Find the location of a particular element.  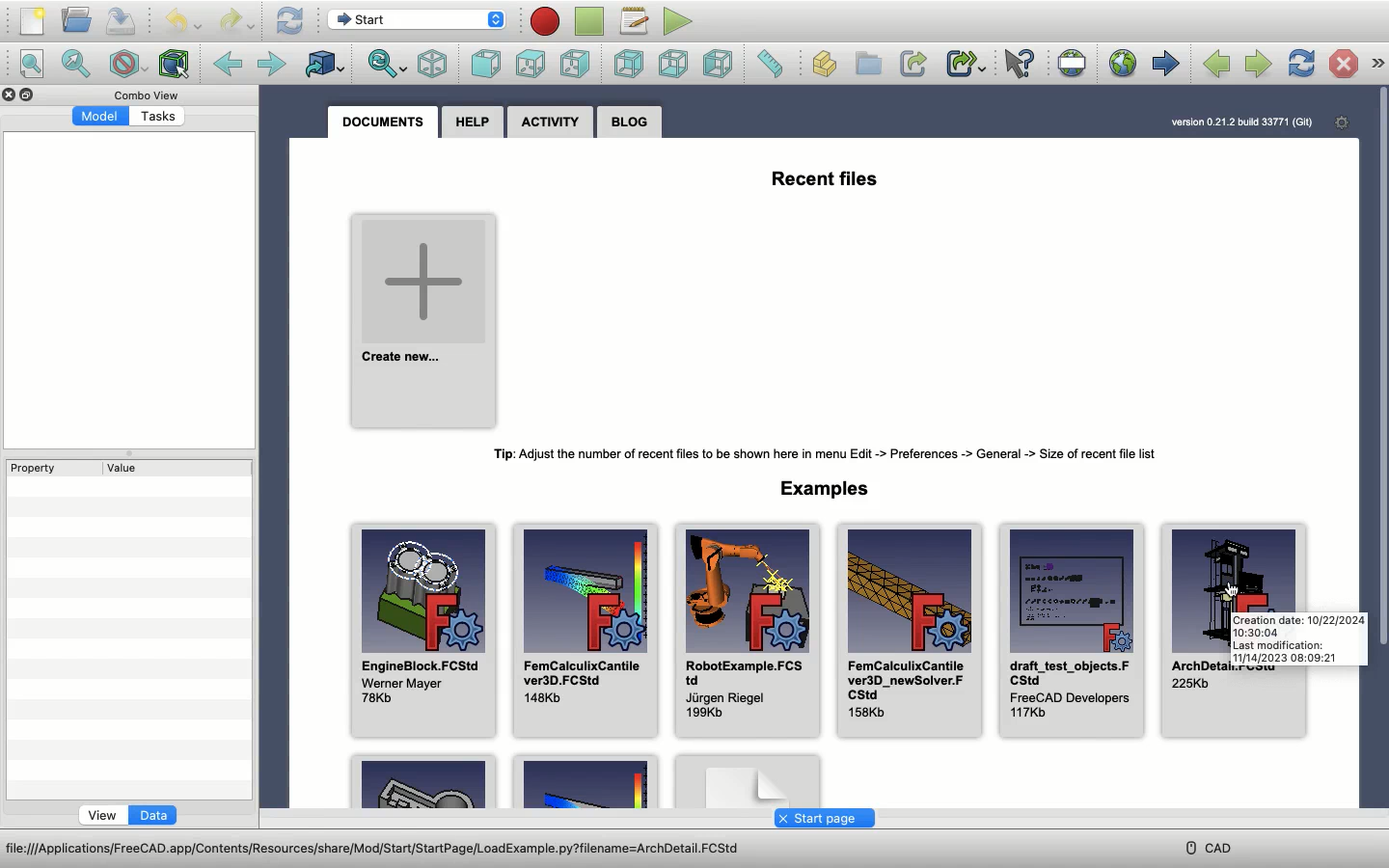

Tip is located at coordinates (829, 456).